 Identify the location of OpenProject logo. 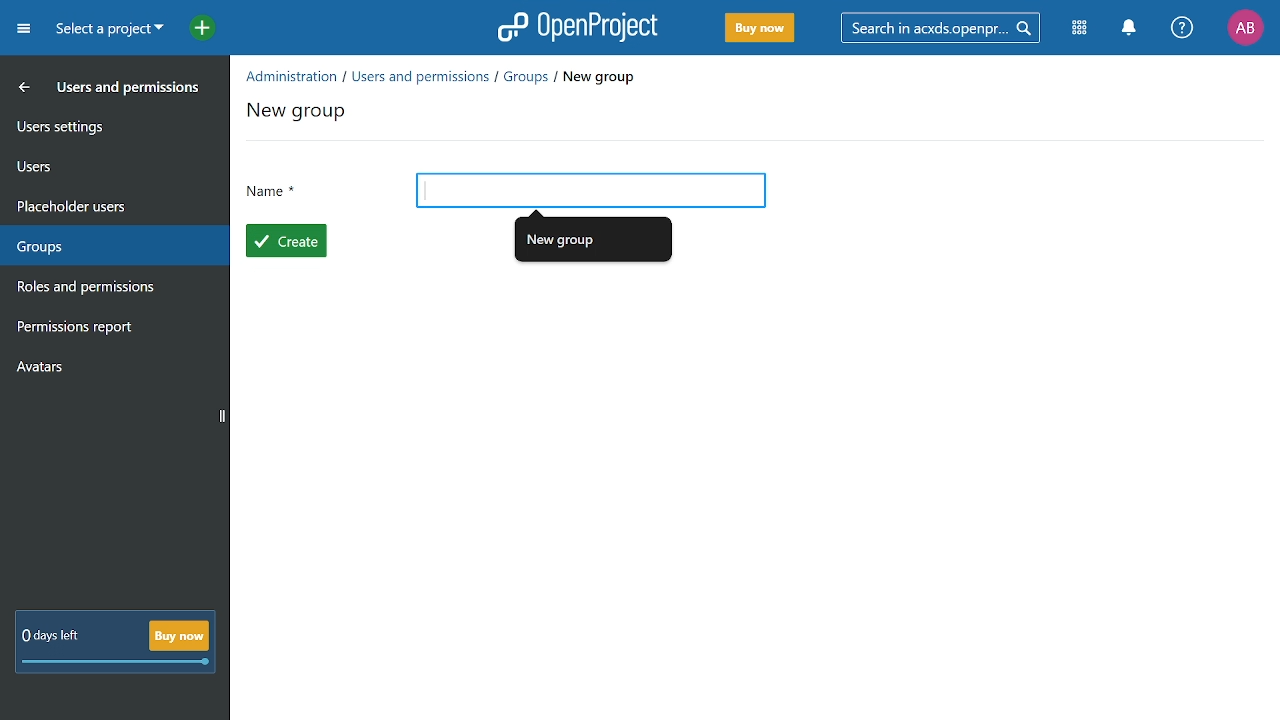
(579, 26).